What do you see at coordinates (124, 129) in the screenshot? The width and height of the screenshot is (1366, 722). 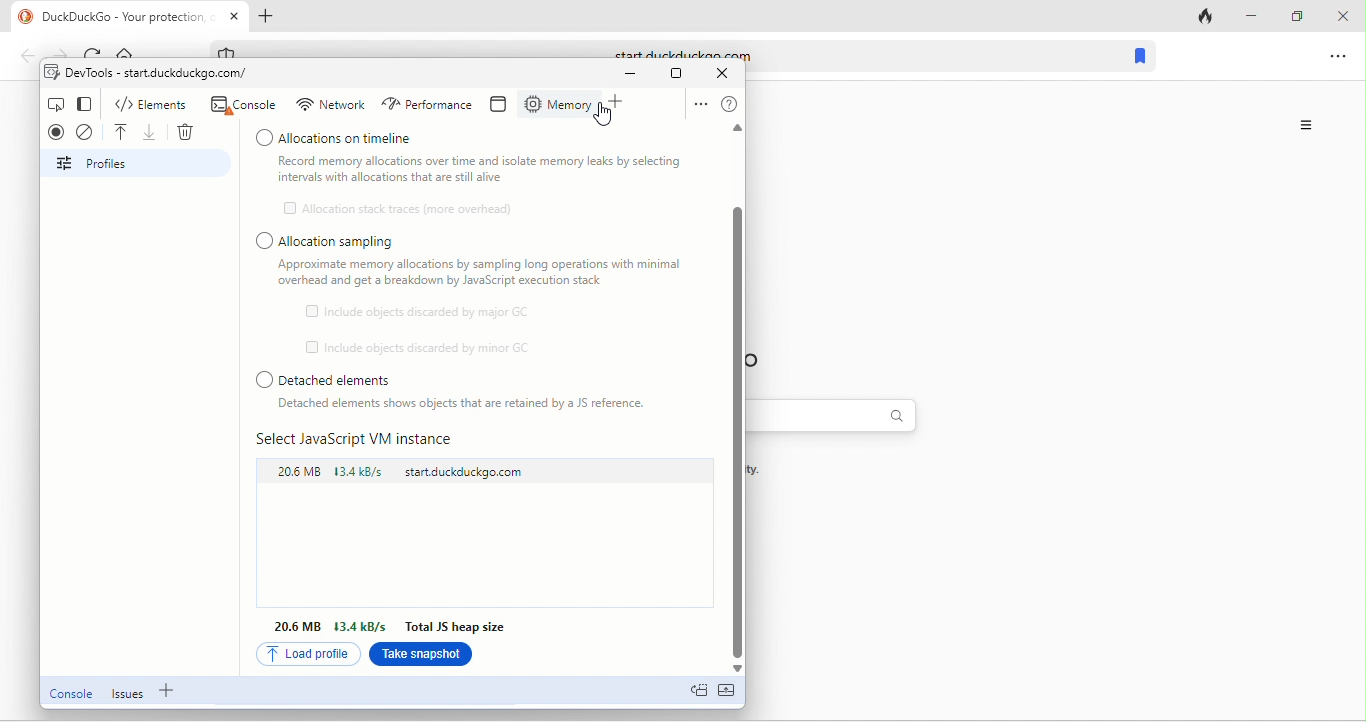 I see `upload` at bounding box center [124, 129].